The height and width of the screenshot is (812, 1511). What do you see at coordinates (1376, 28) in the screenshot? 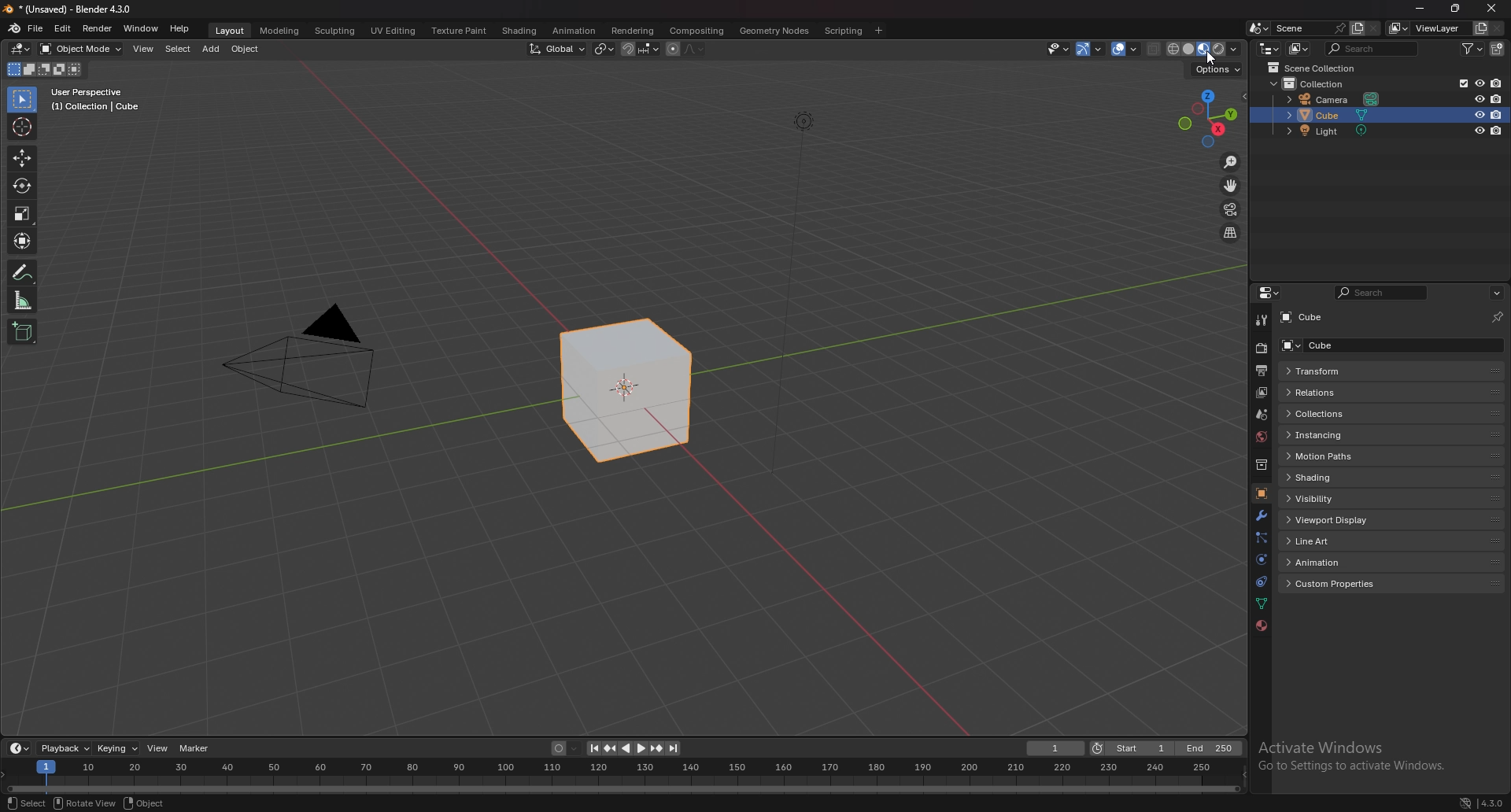
I see `remove scene` at bounding box center [1376, 28].